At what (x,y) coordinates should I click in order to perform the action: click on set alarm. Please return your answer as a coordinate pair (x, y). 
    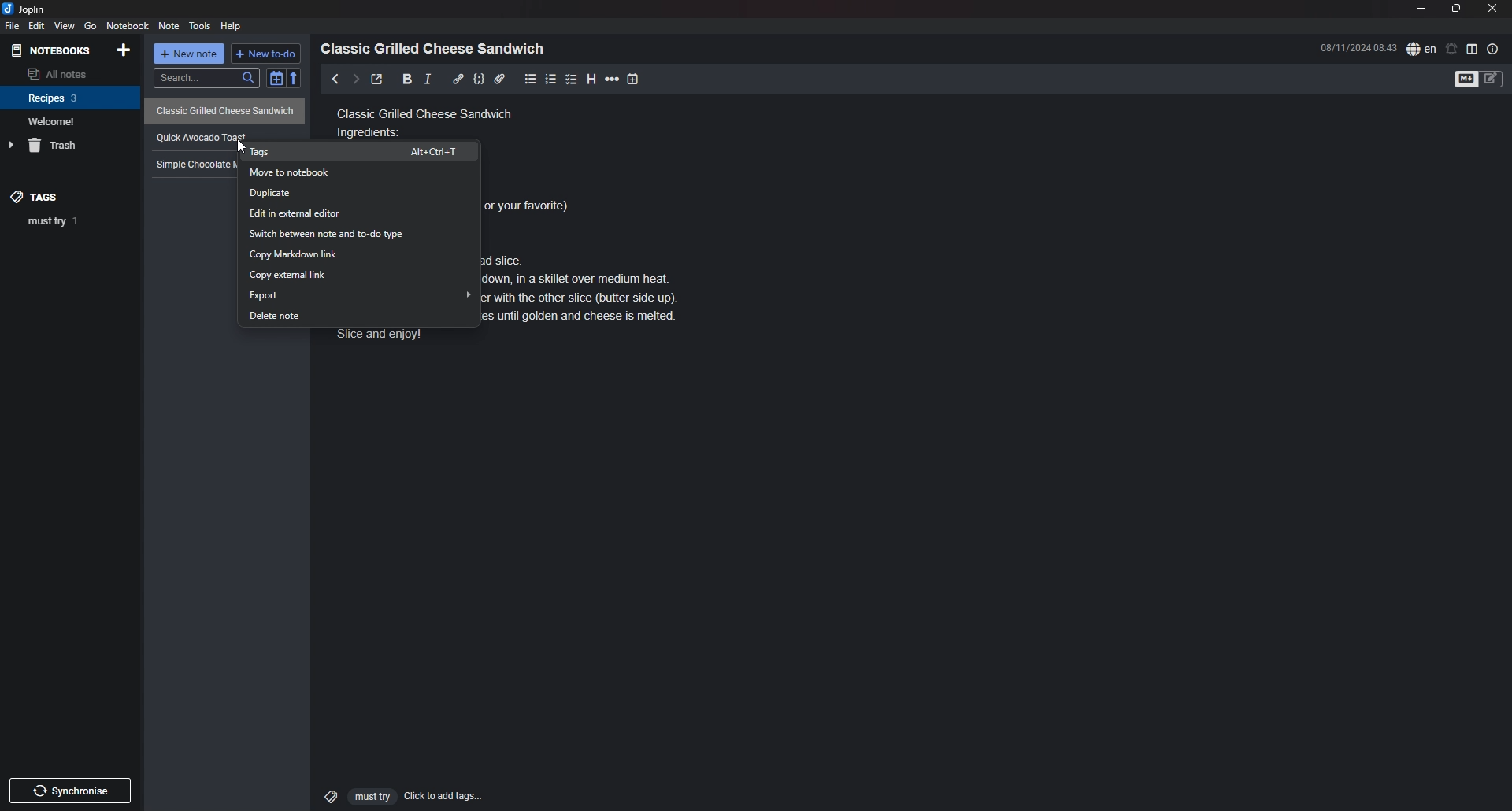
    Looking at the image, I should click on (1452, 48).